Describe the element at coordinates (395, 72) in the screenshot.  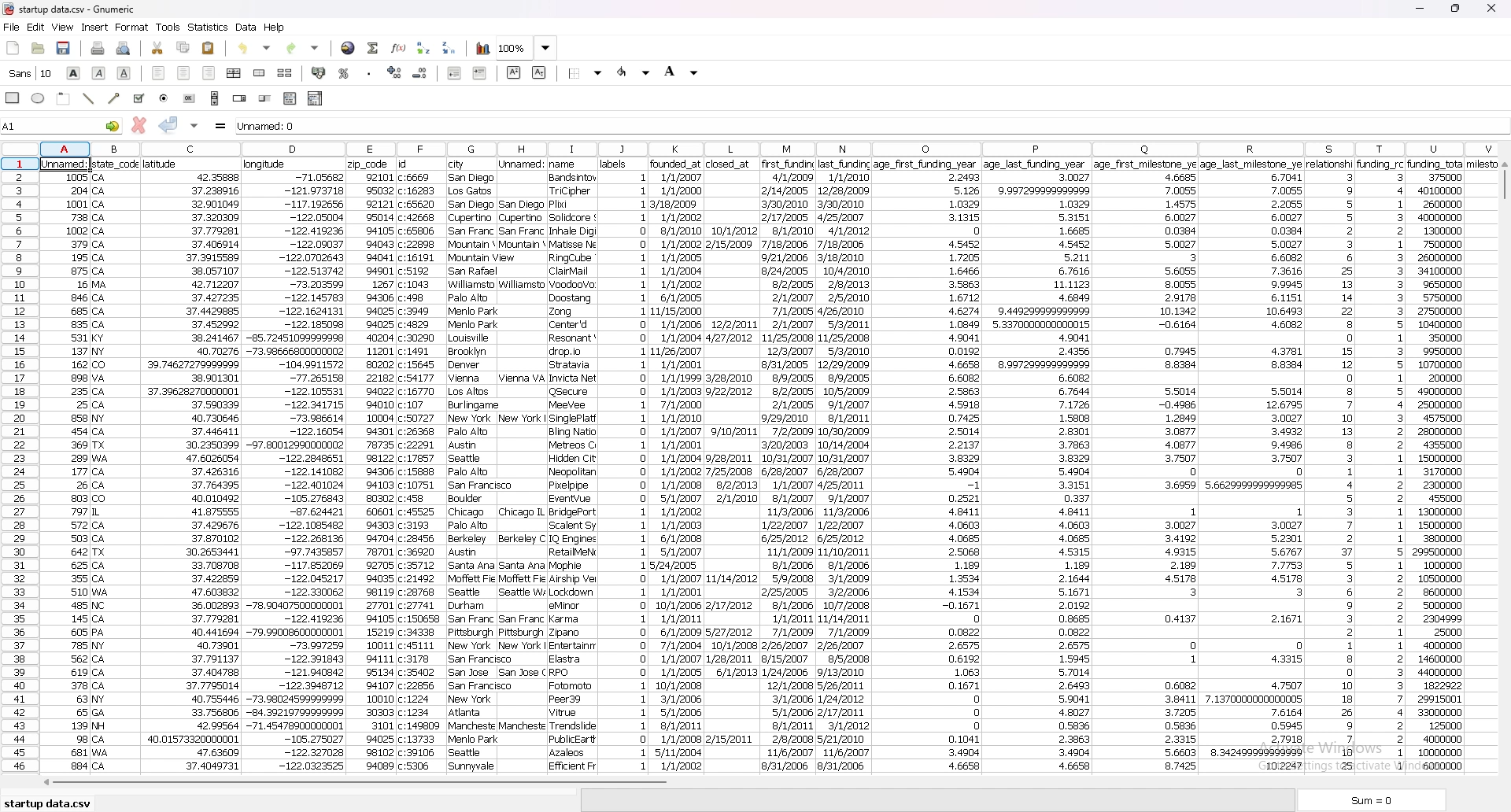
I see `increase decimals` at that location.